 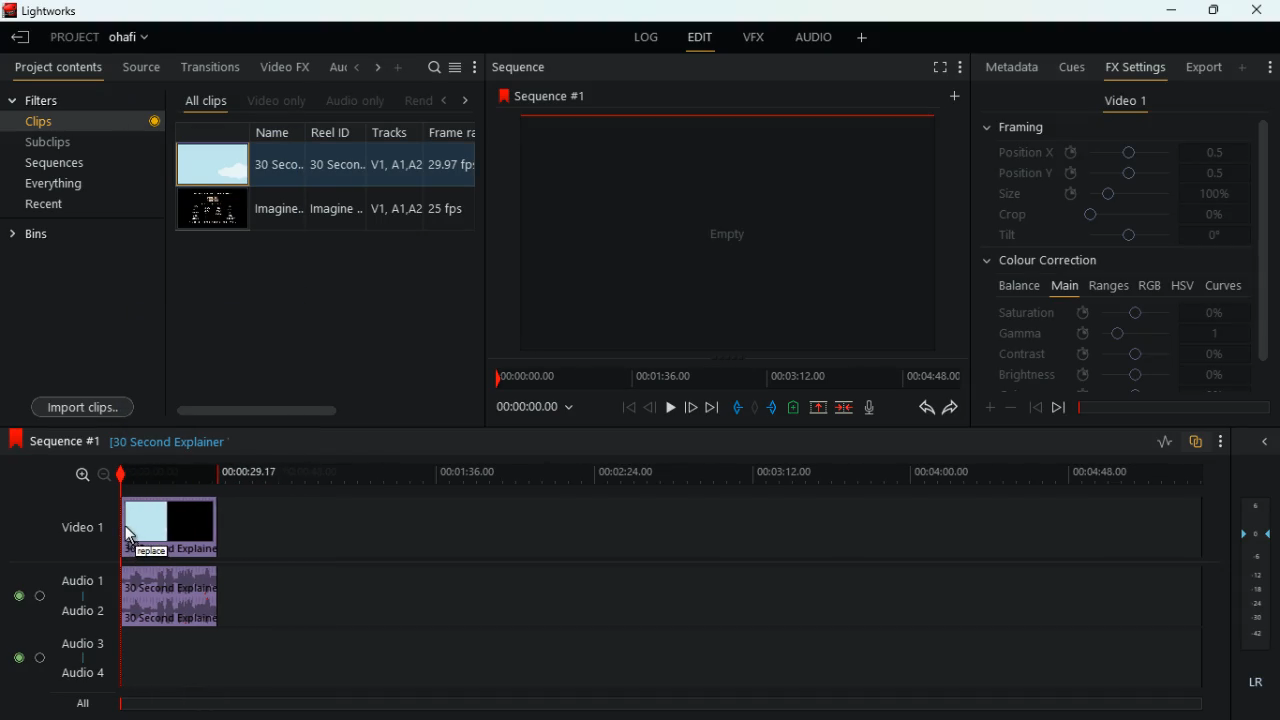 I want to click on size, so click(x=1118, y=194).